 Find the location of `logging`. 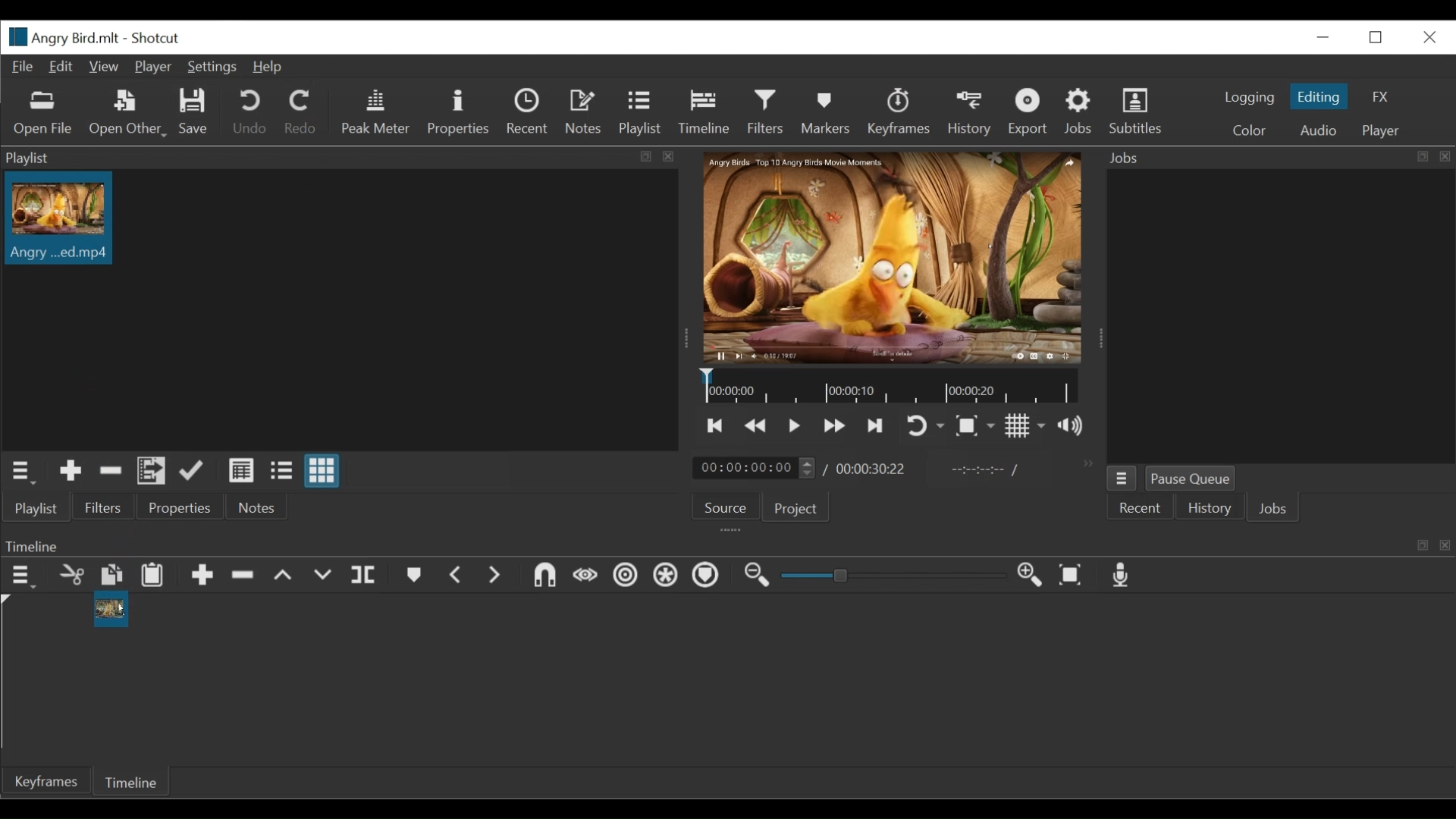

logging is located at coordinates (1248, 99).